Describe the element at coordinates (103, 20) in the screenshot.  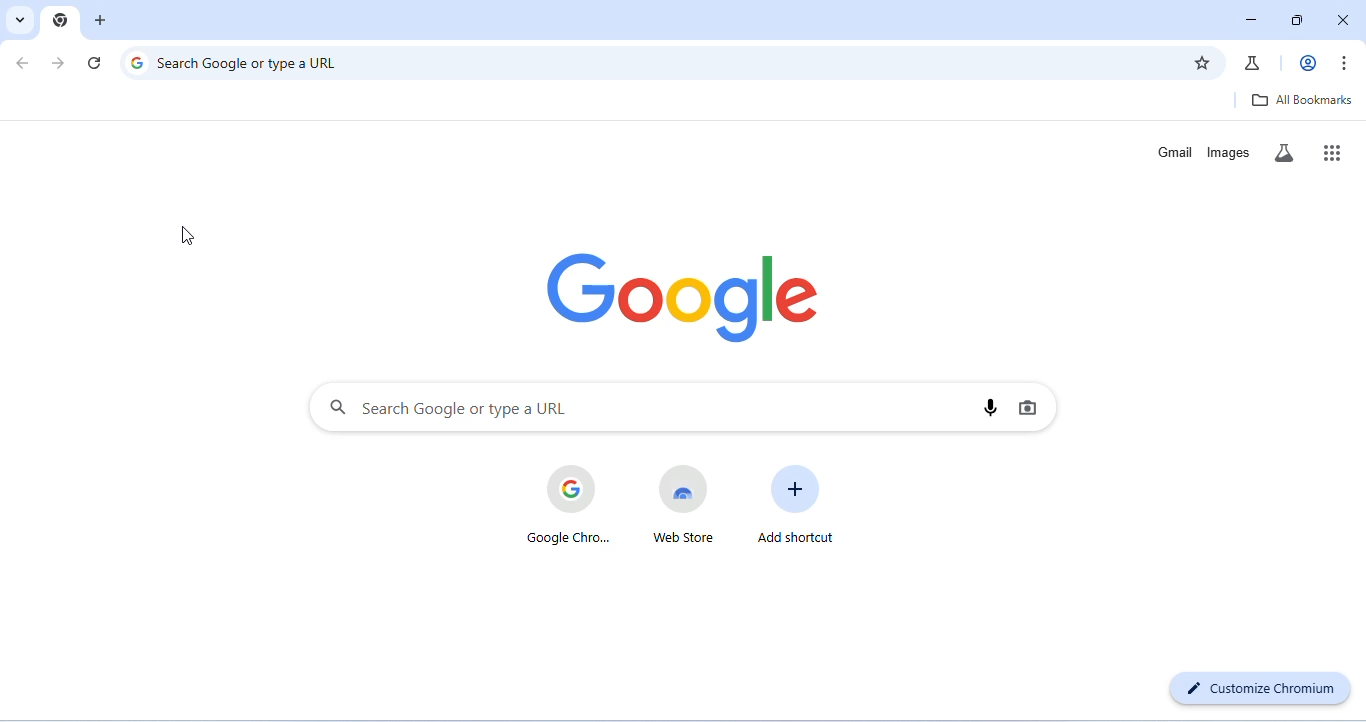
I see `add new ta` at that location.